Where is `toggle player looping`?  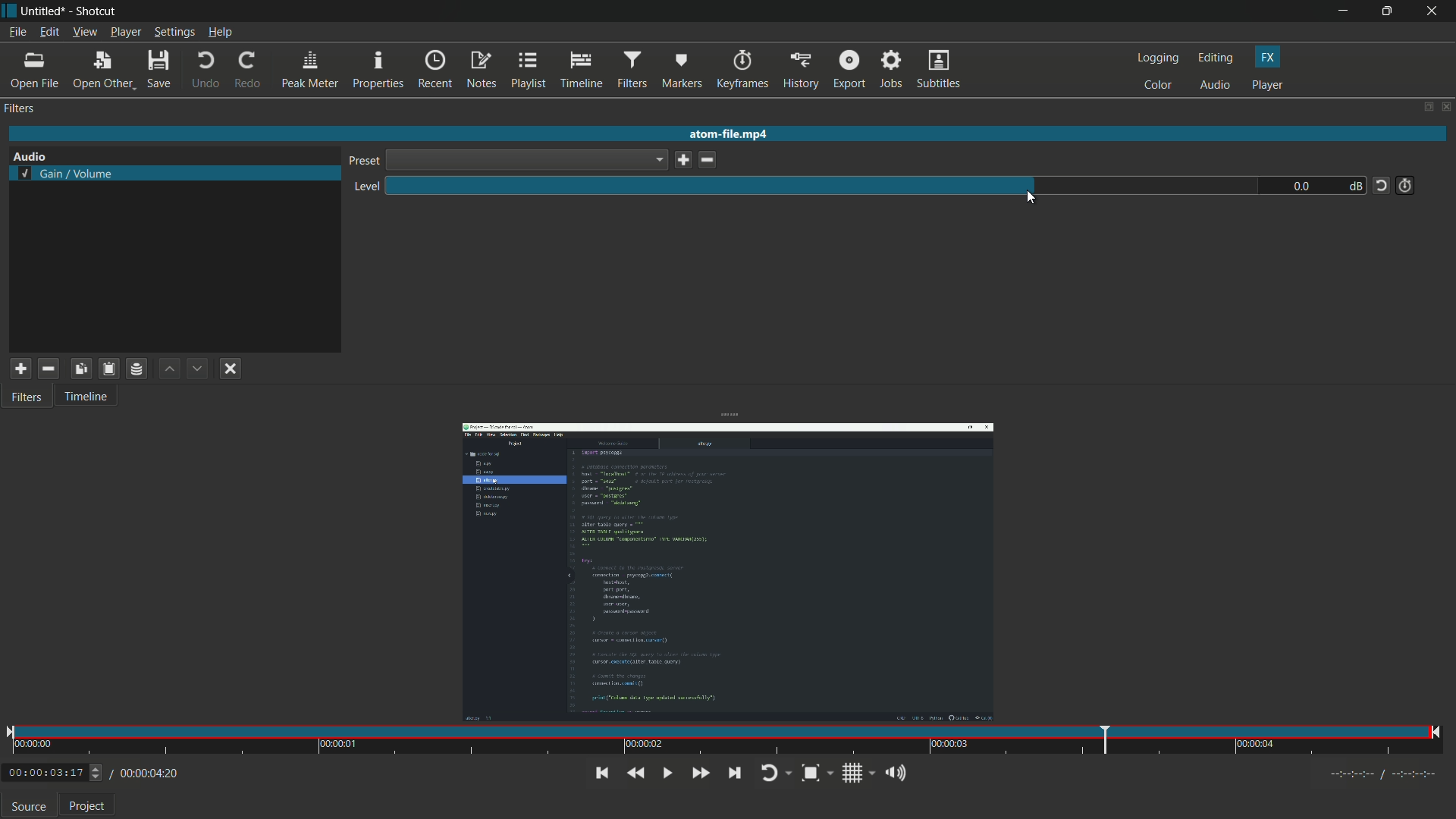 toggle player looping is located at coordinates (775, 774).